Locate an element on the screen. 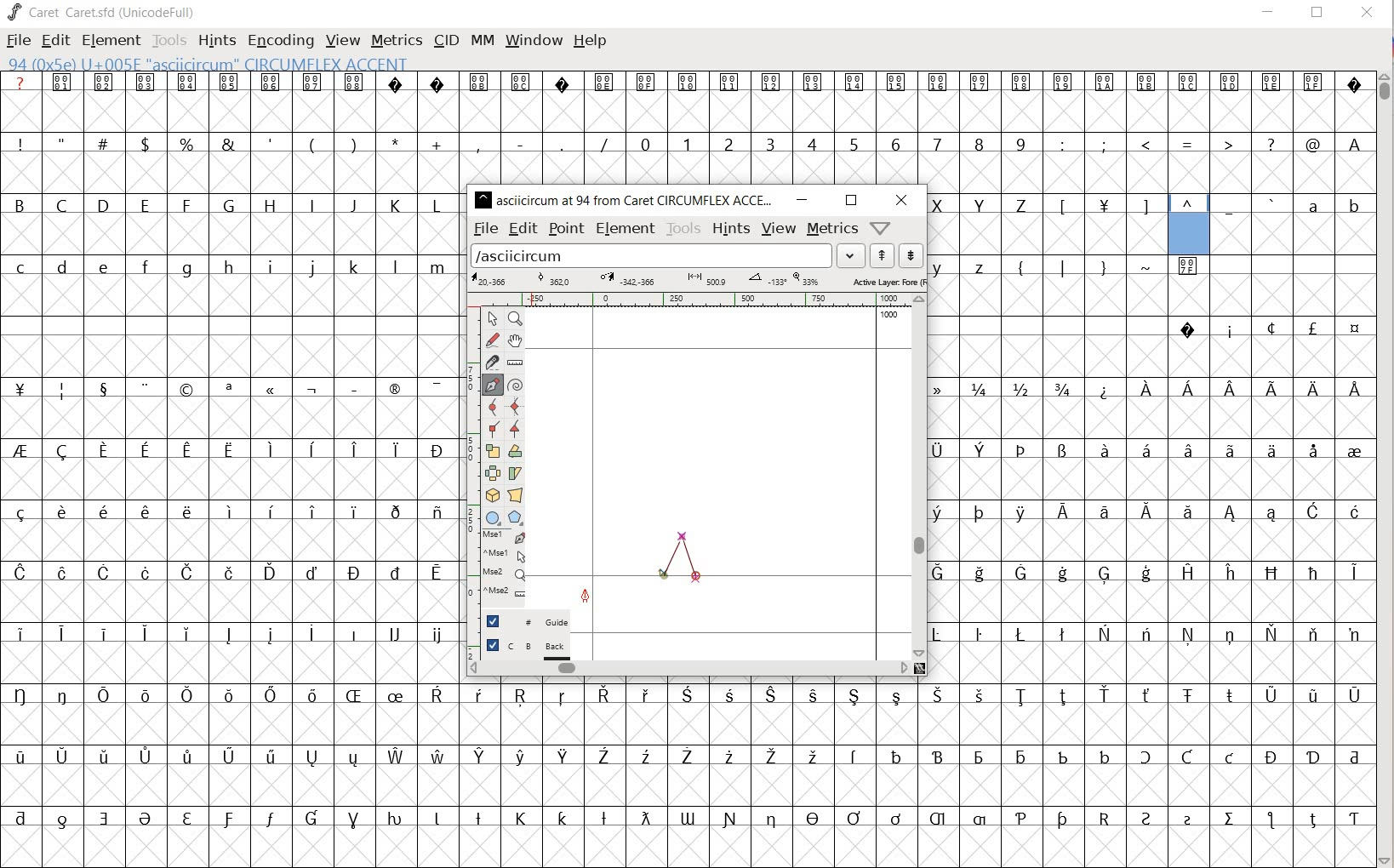 This screenshot has width=1394, height=868. rectangle or ellipse is located at coordinates (494, 517).